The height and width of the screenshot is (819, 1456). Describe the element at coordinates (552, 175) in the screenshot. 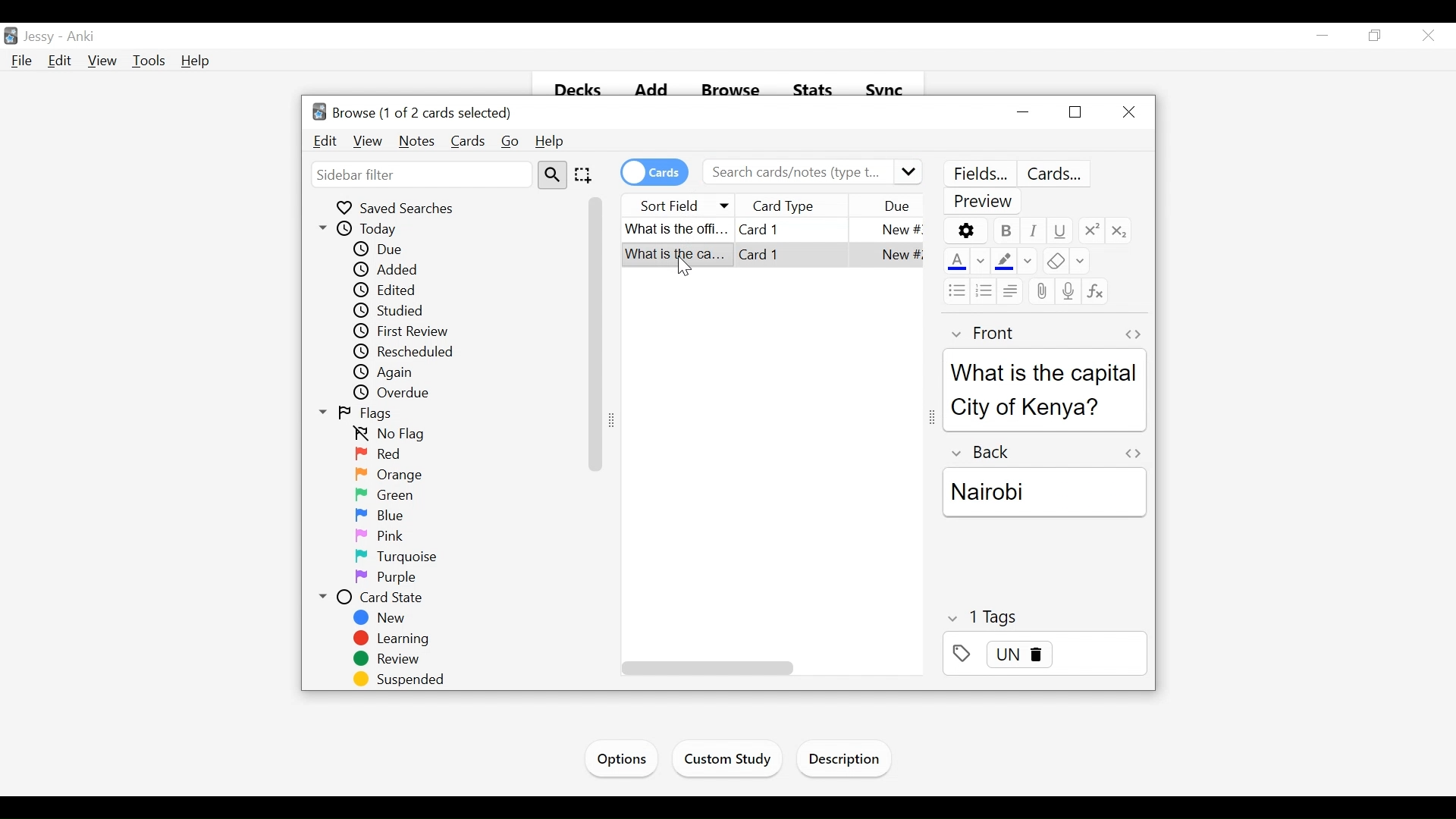

I see `Search Tool` at that location.